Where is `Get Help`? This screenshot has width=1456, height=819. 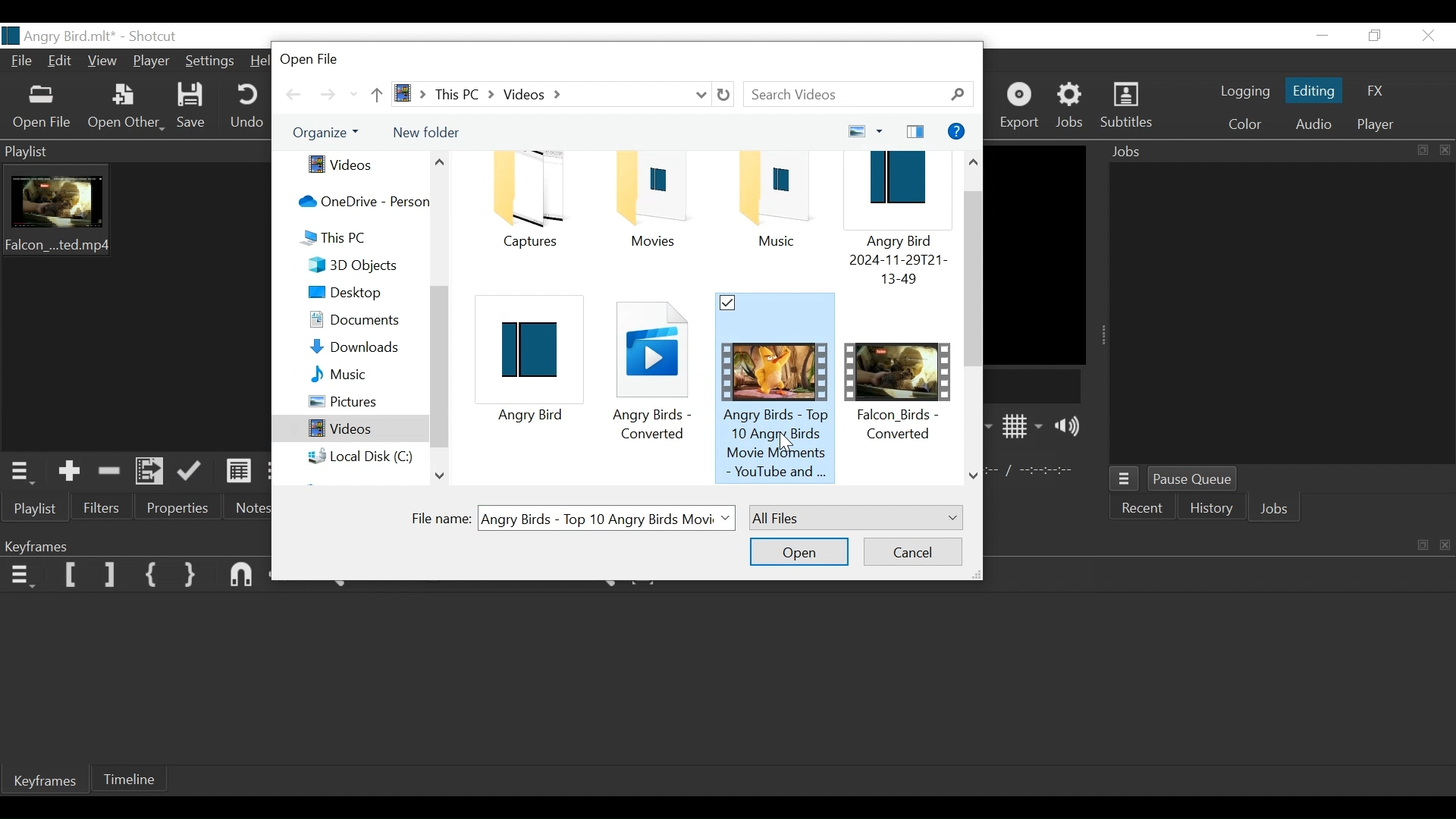
Get Help is located at coordinates (959, 132).